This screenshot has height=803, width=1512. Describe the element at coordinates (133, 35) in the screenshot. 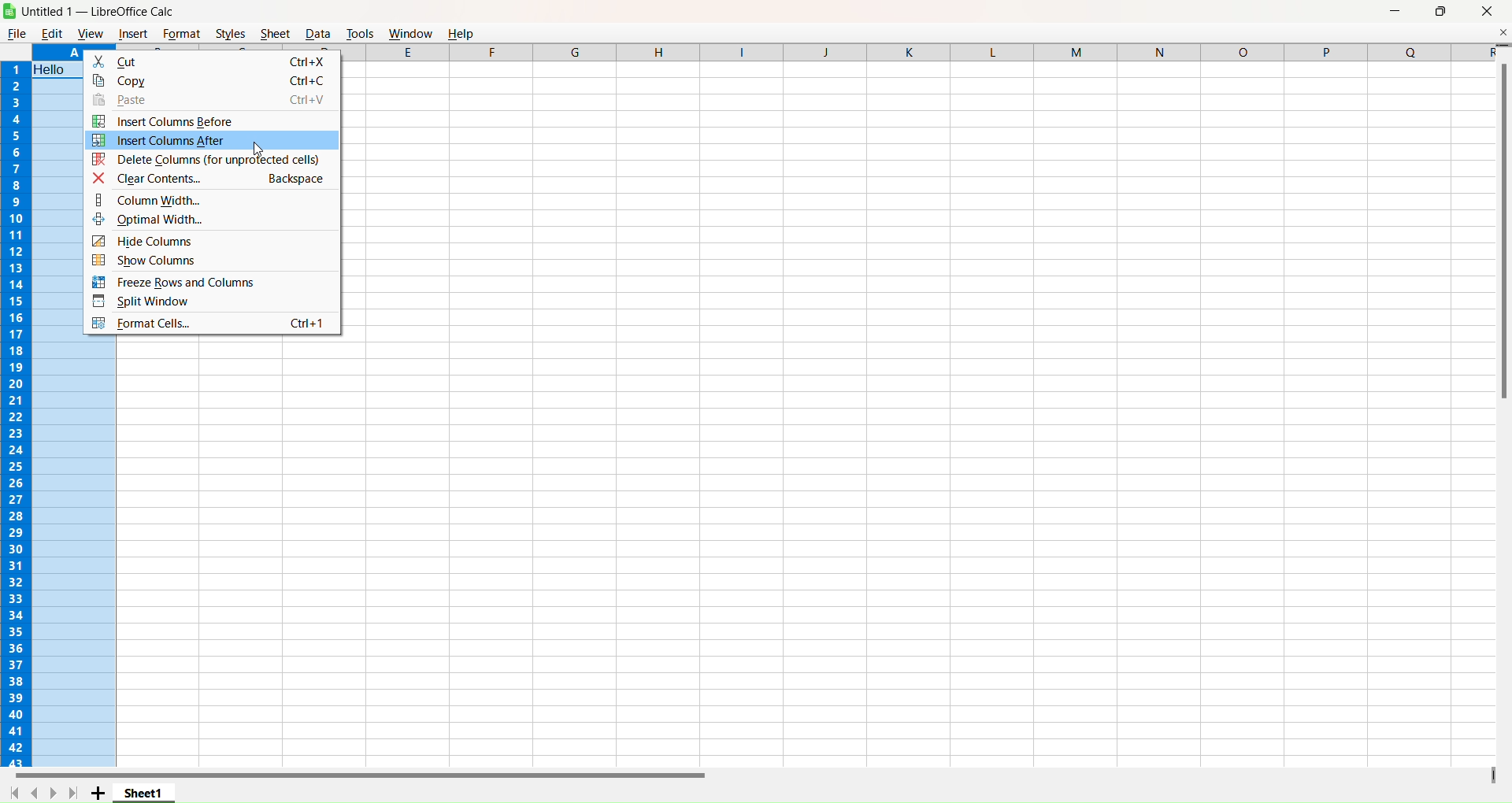

I see `Insert` at that location.